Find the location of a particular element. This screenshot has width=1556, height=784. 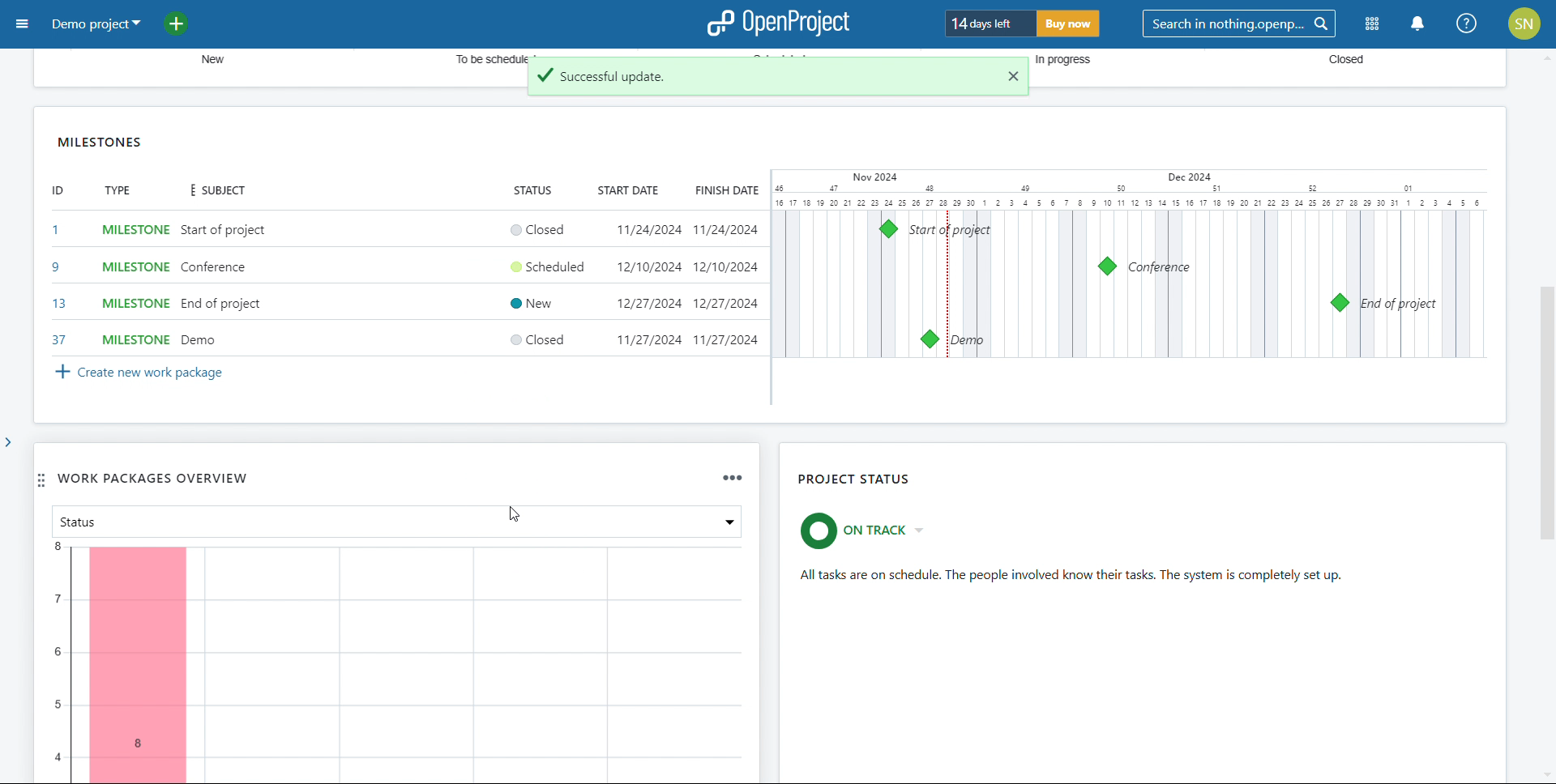

Closed is located at coordinates (1335, 61).